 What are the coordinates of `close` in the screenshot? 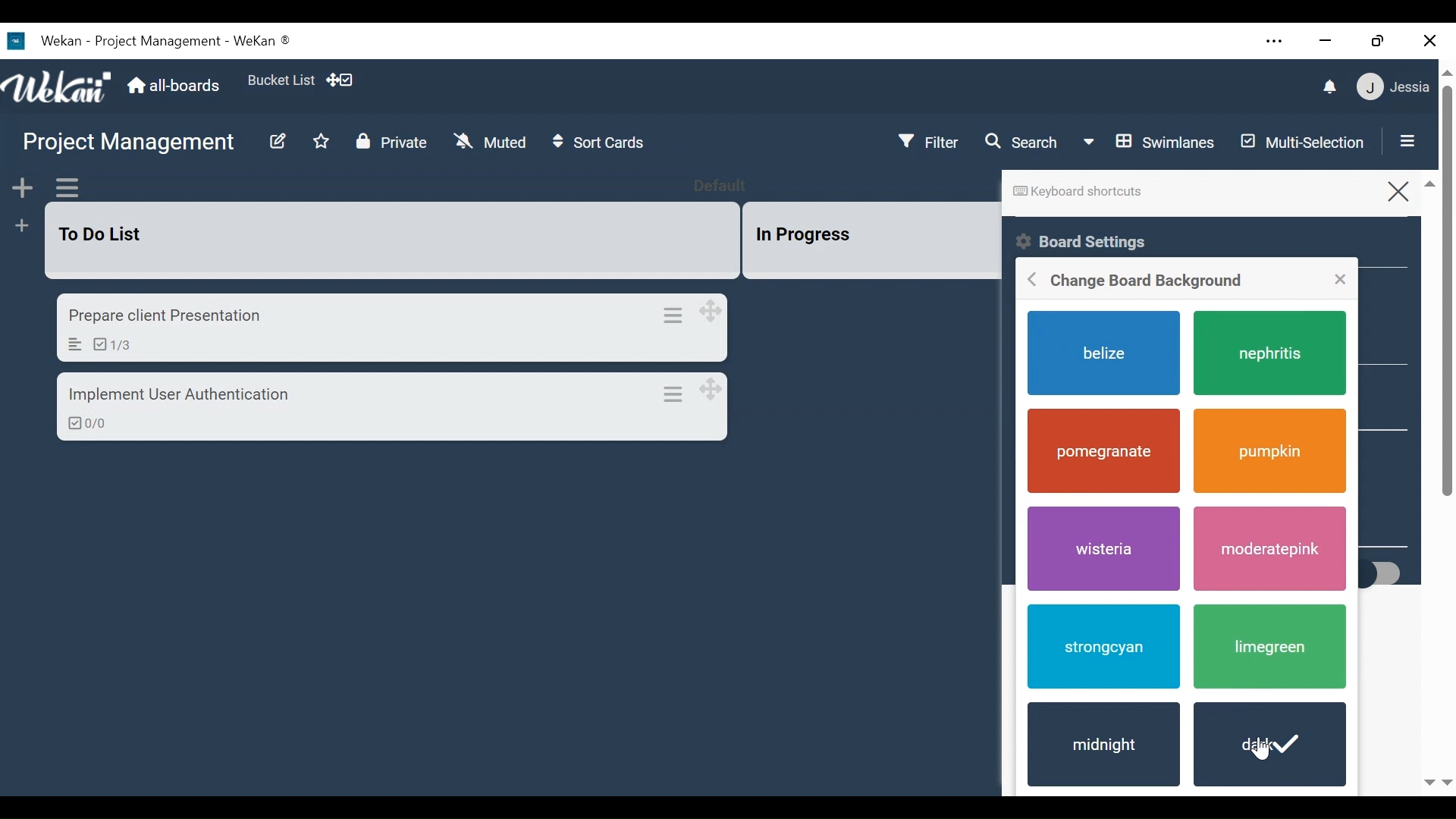 It's located at (1427, 38).